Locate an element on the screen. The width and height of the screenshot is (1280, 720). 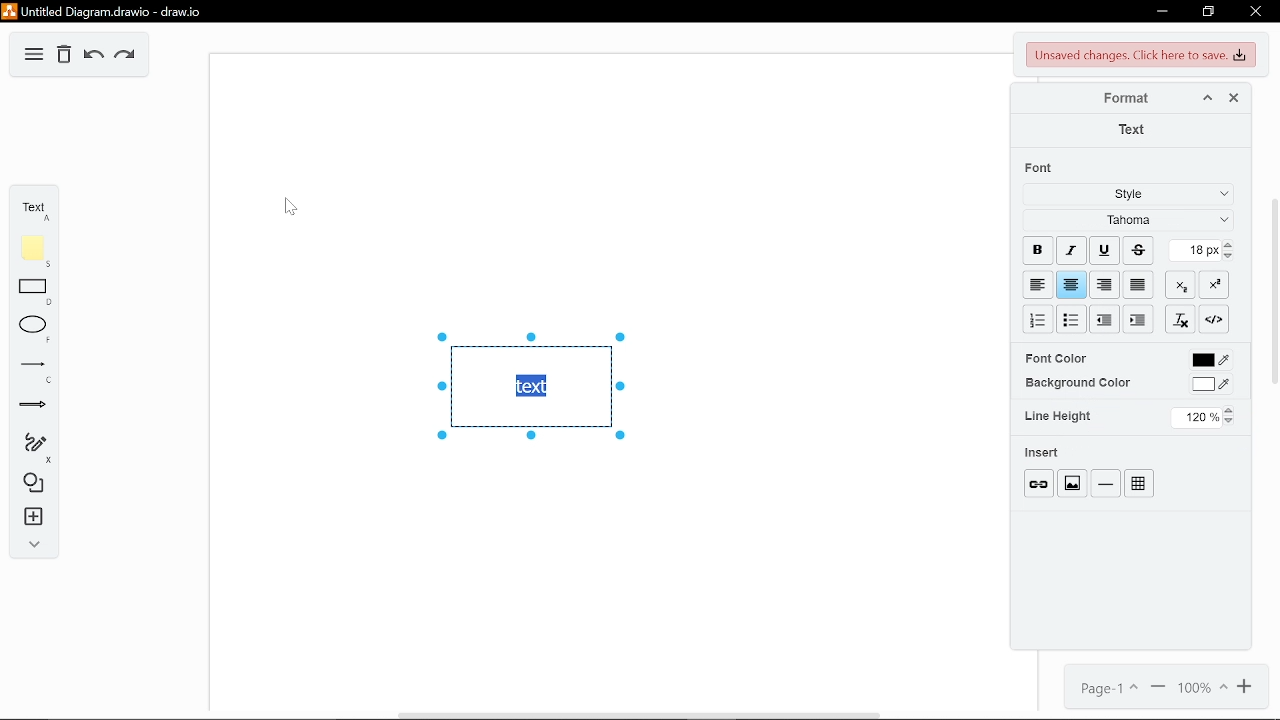
change line height is located at coordinates (1203, 418).